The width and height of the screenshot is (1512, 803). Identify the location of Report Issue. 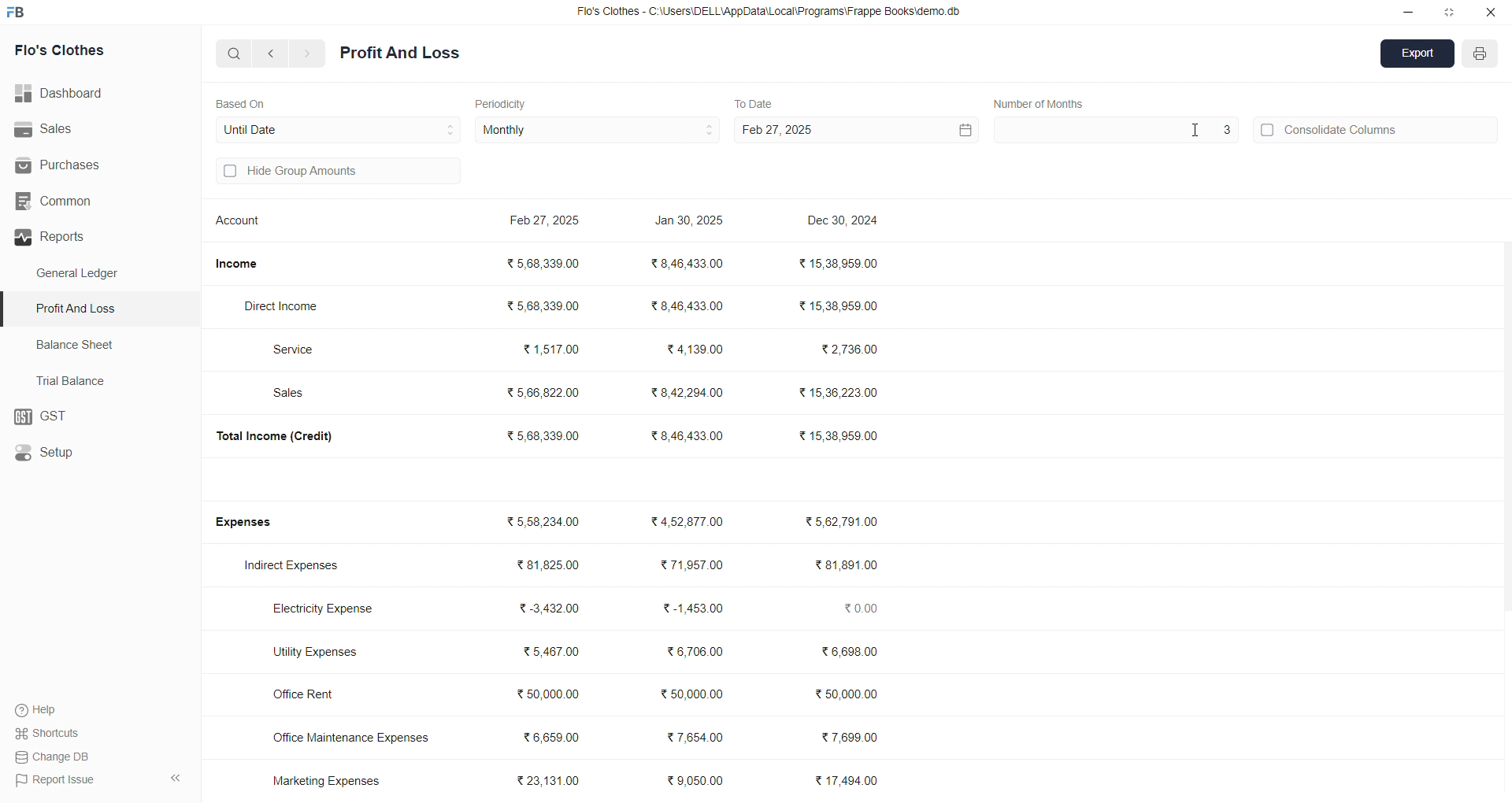
(56, 779).